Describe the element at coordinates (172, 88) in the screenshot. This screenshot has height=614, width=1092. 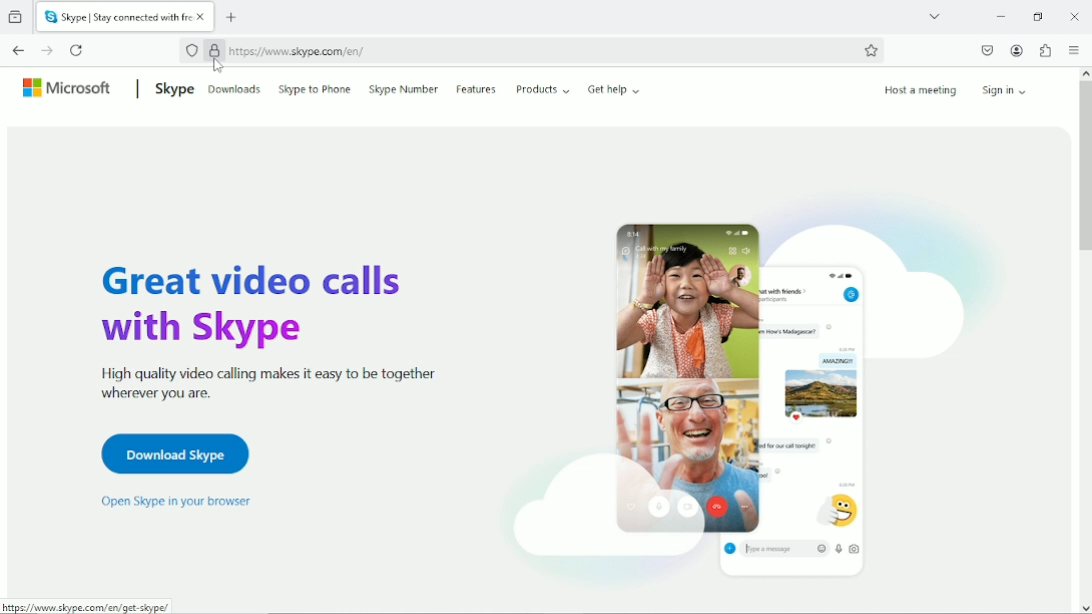
I see `Skype` at that location.